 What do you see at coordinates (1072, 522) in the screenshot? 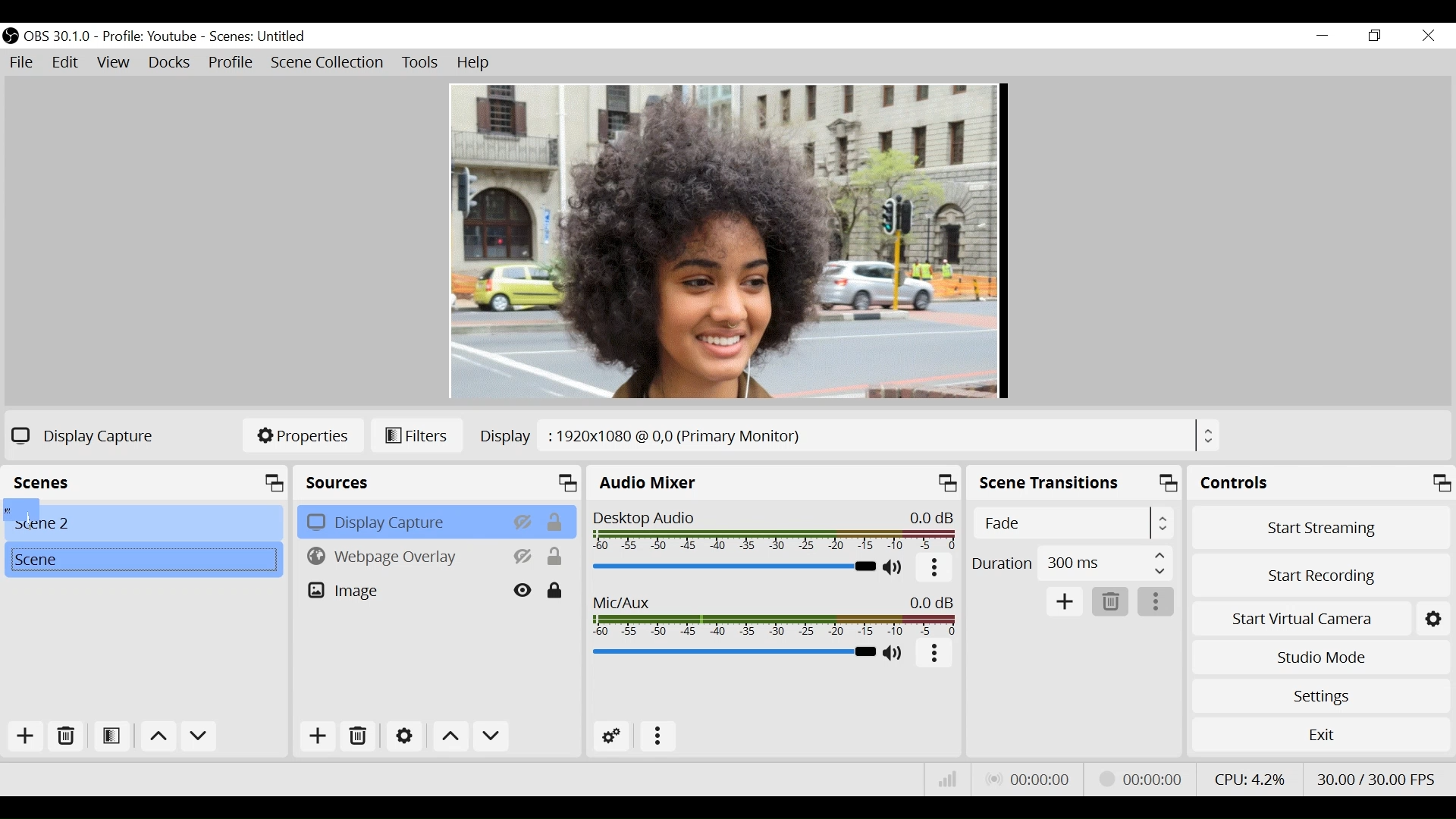
I see `Select Scene Transitions ` at bounding box center [1072, 522].